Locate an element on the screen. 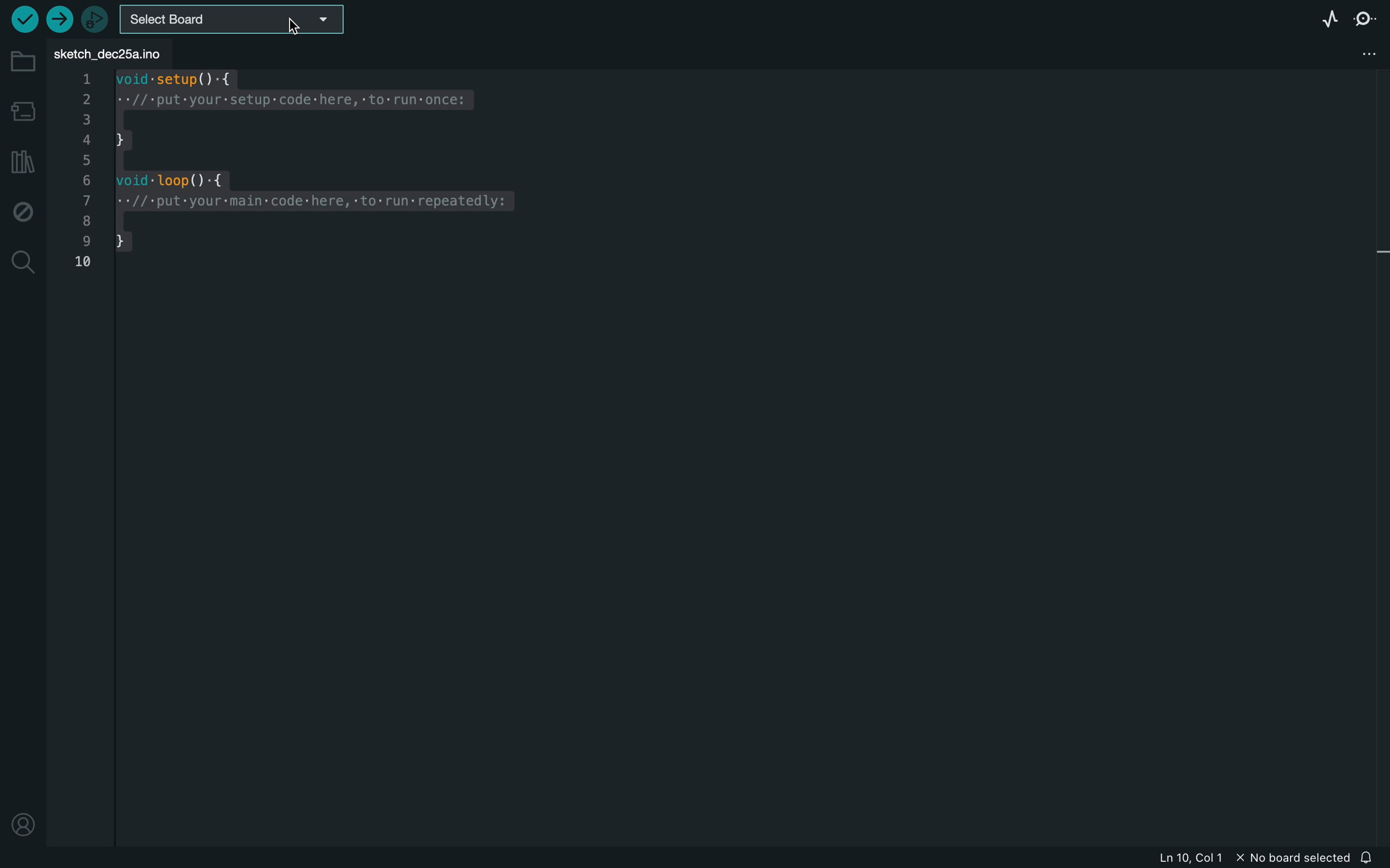 The height and width of the screenshot is (868, 1390). notification is located at coordinates (1372, 856).